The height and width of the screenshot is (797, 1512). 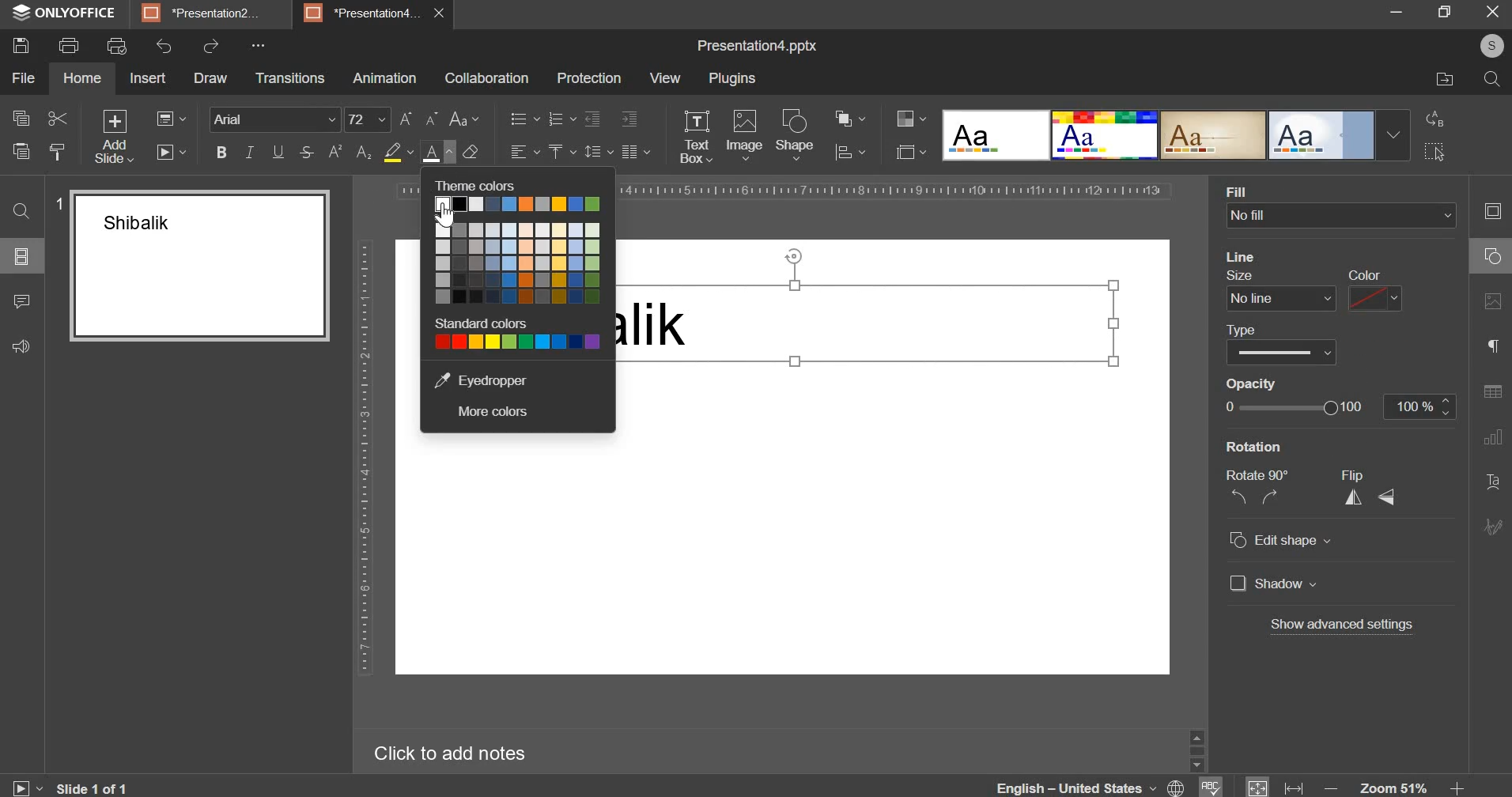 What do you see at coordinates (664, 332) in the screenshot?
I see `shibalik` at bounding box center [664, 332].